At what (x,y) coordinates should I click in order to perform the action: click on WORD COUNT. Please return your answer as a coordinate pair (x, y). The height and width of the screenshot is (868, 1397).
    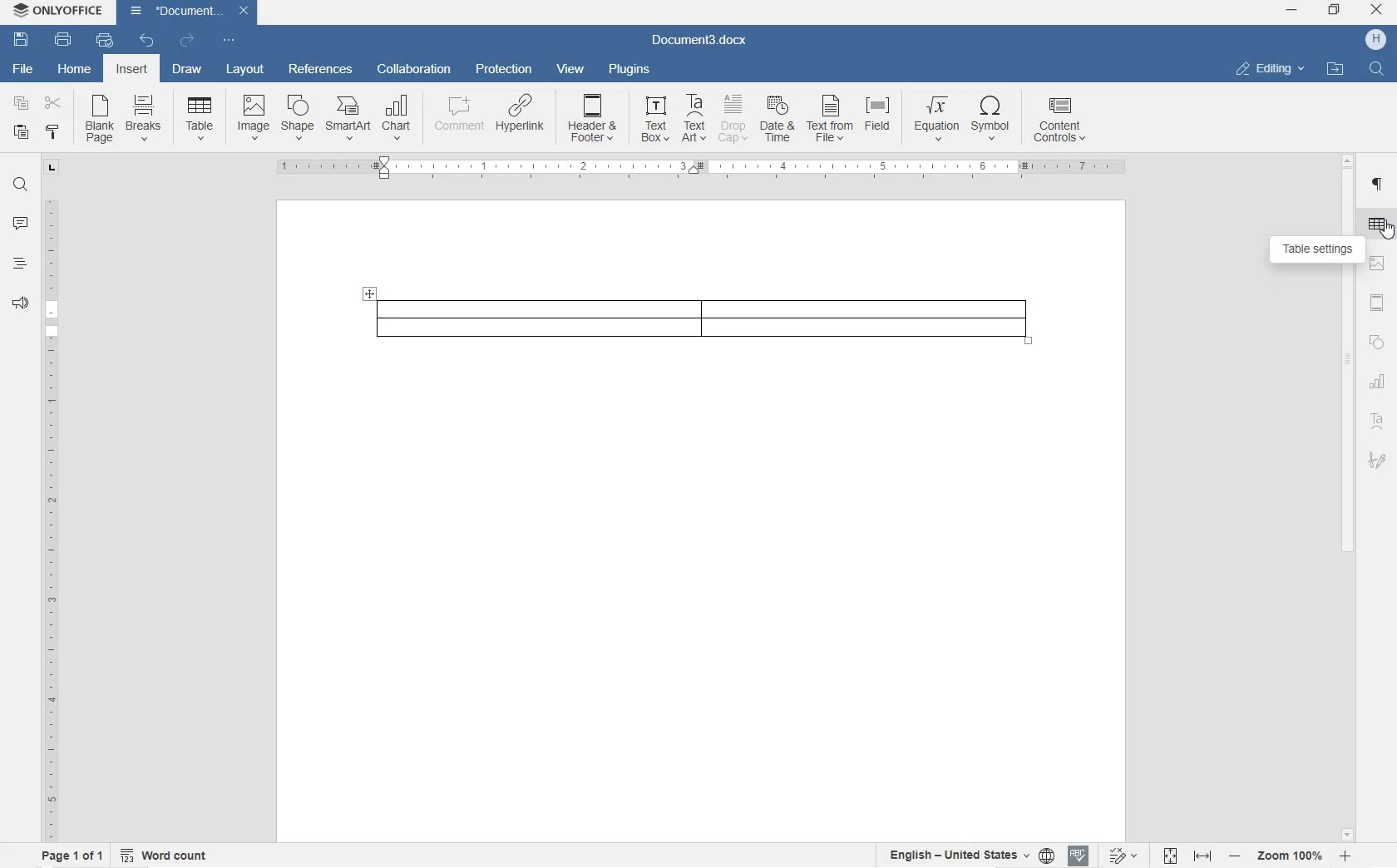
    Looking at the image, I should click on (165, 854).